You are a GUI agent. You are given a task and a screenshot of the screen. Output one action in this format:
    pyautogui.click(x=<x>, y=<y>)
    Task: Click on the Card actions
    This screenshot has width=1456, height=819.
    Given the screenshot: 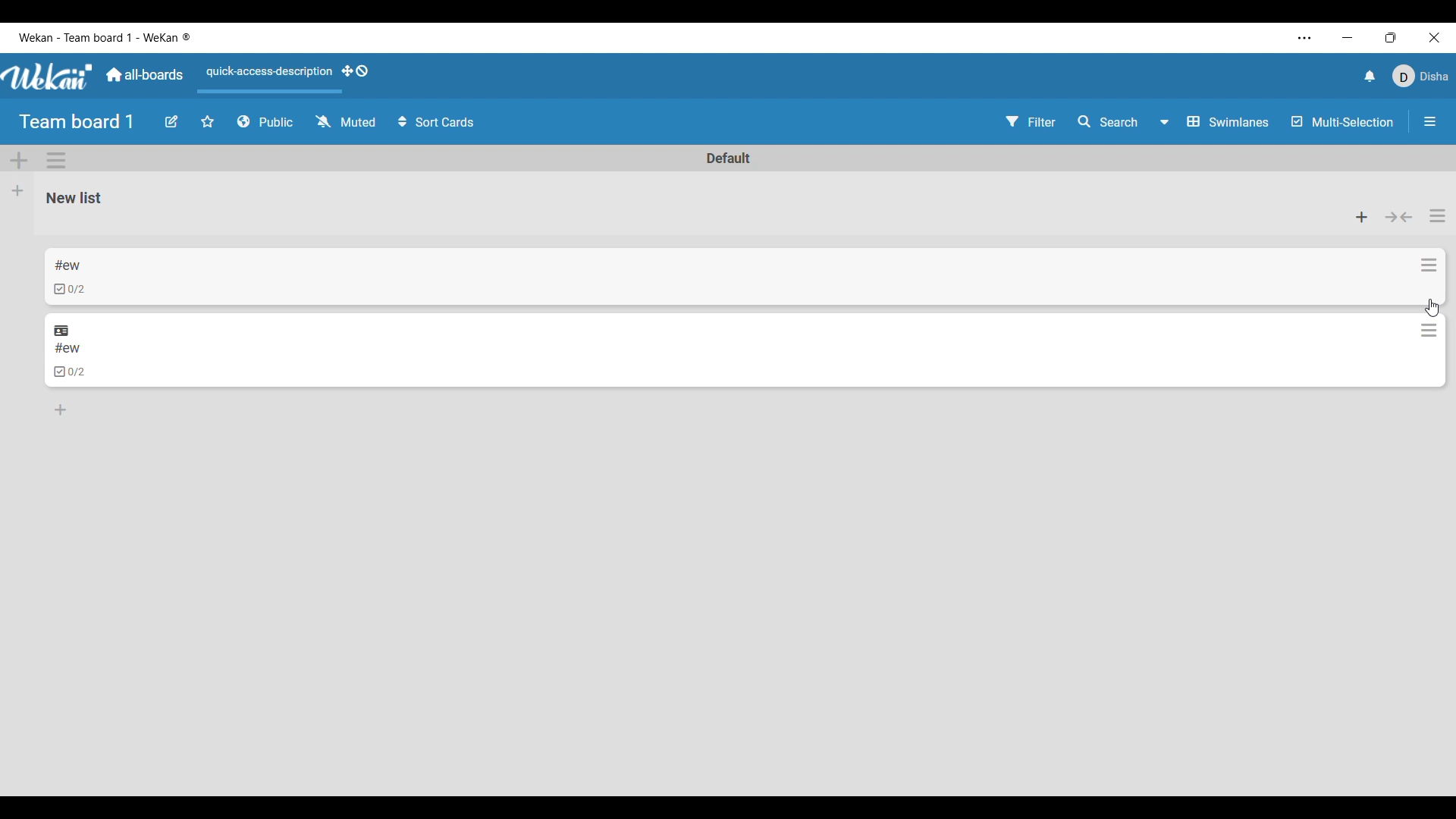 What is the action you would take?
    pyautogui.click(x=1429, y=265)
    